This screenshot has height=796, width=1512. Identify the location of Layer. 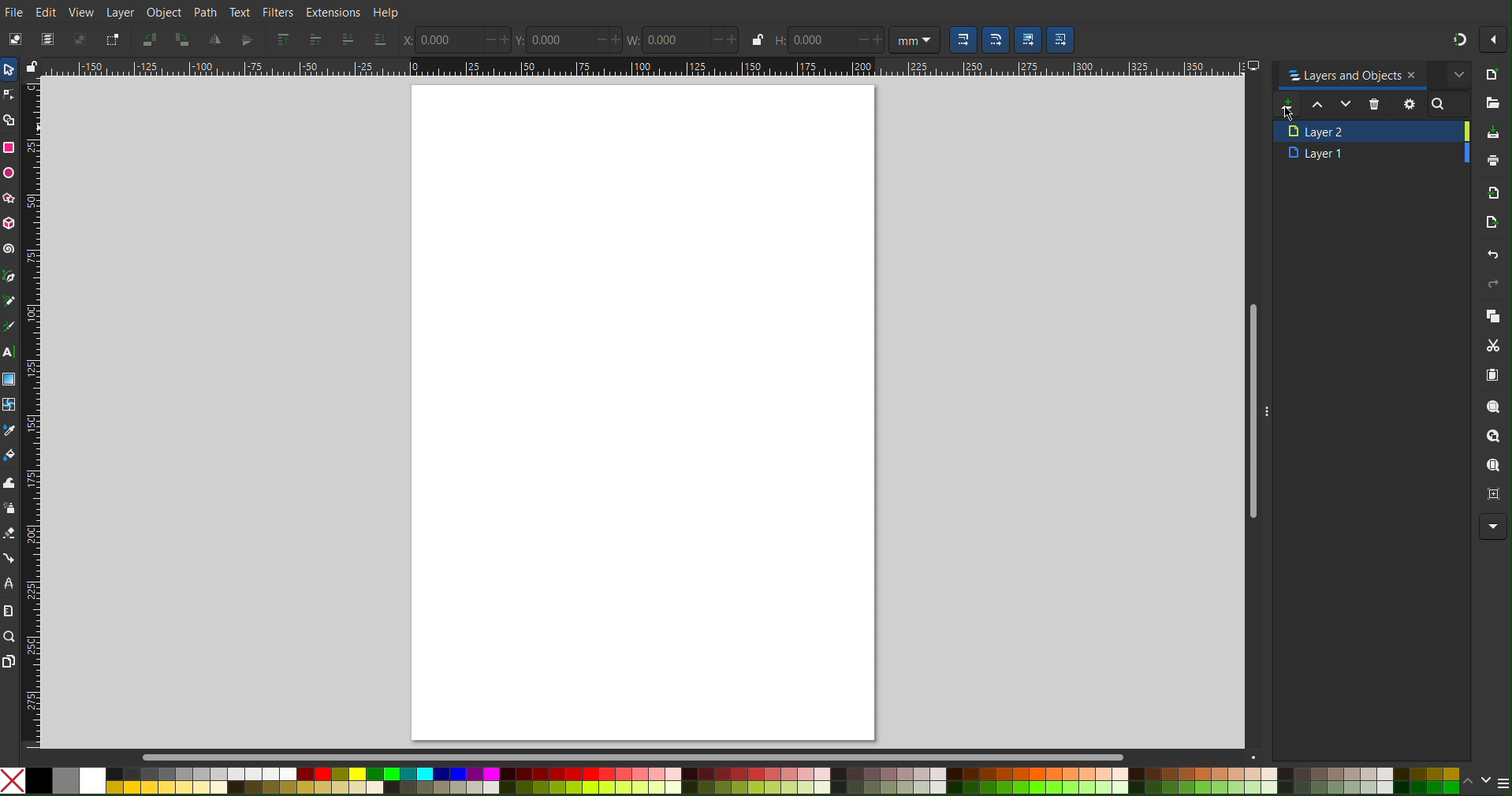
(122, 12).